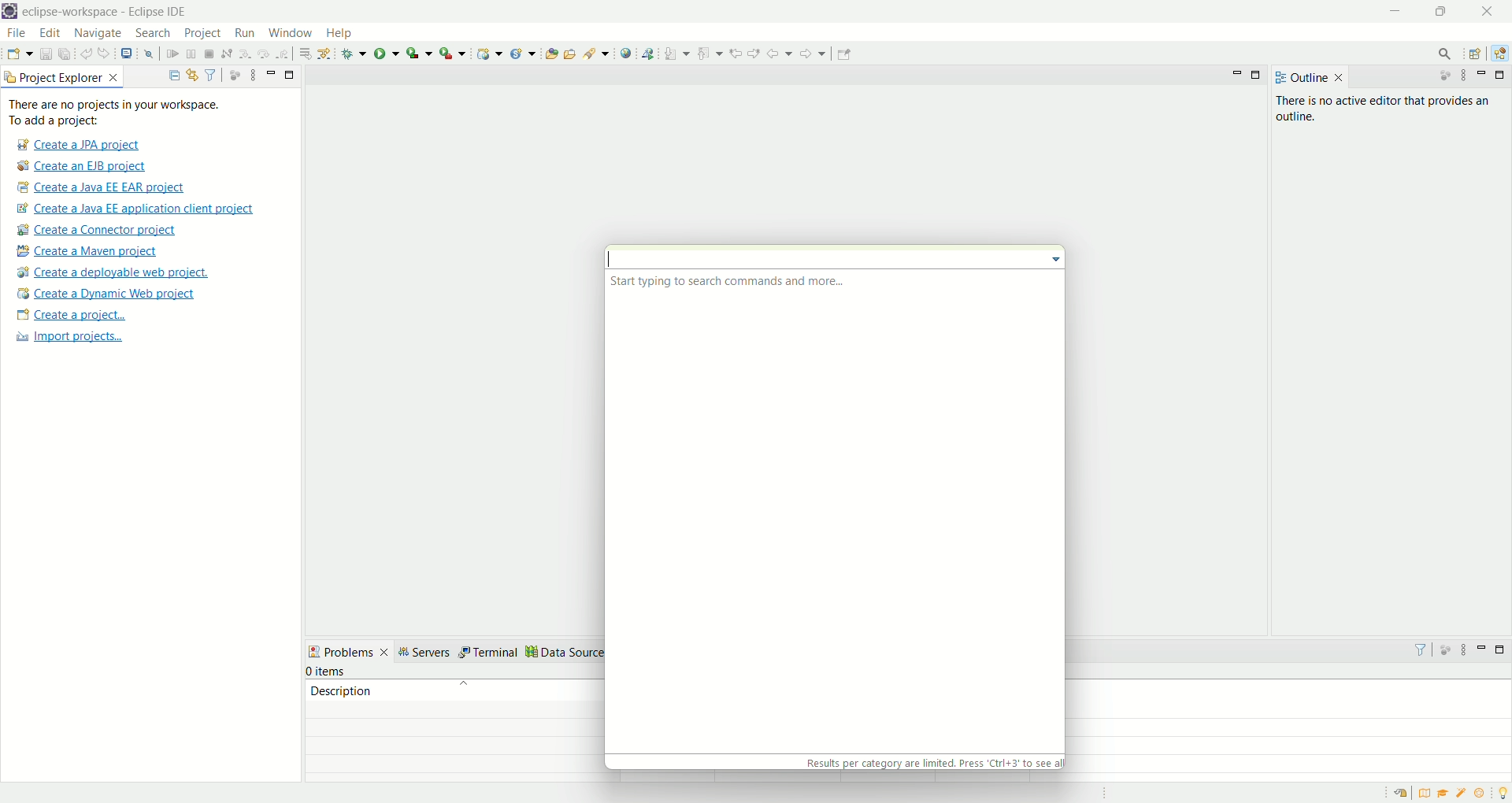 The width and height of the screenshot is (1512, 803). Describe the element at coordinates (243, 31) in the screenshot. I see `run` at that location.